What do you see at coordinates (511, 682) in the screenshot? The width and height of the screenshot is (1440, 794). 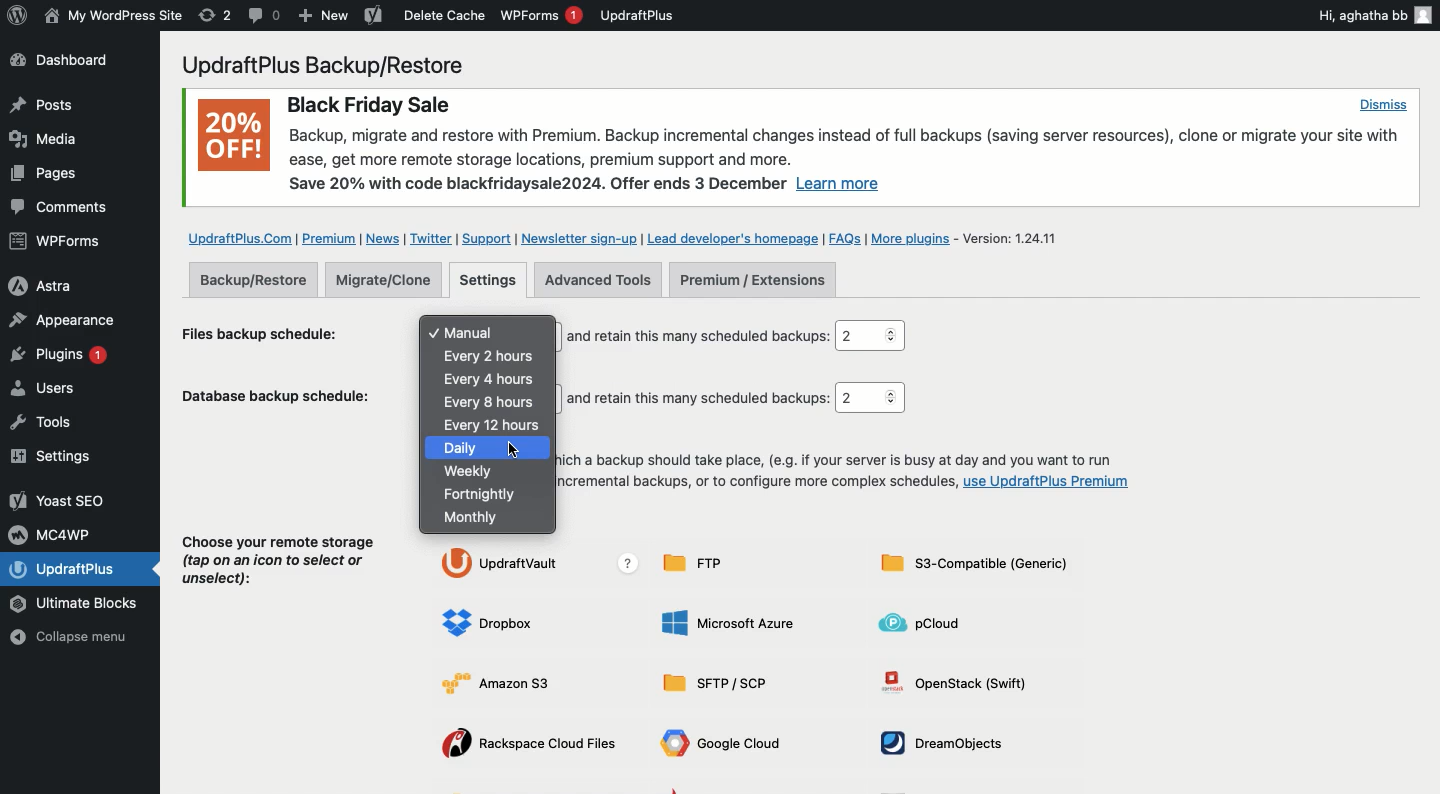 I see `Amazon S3` at bounding box center [511, 682].